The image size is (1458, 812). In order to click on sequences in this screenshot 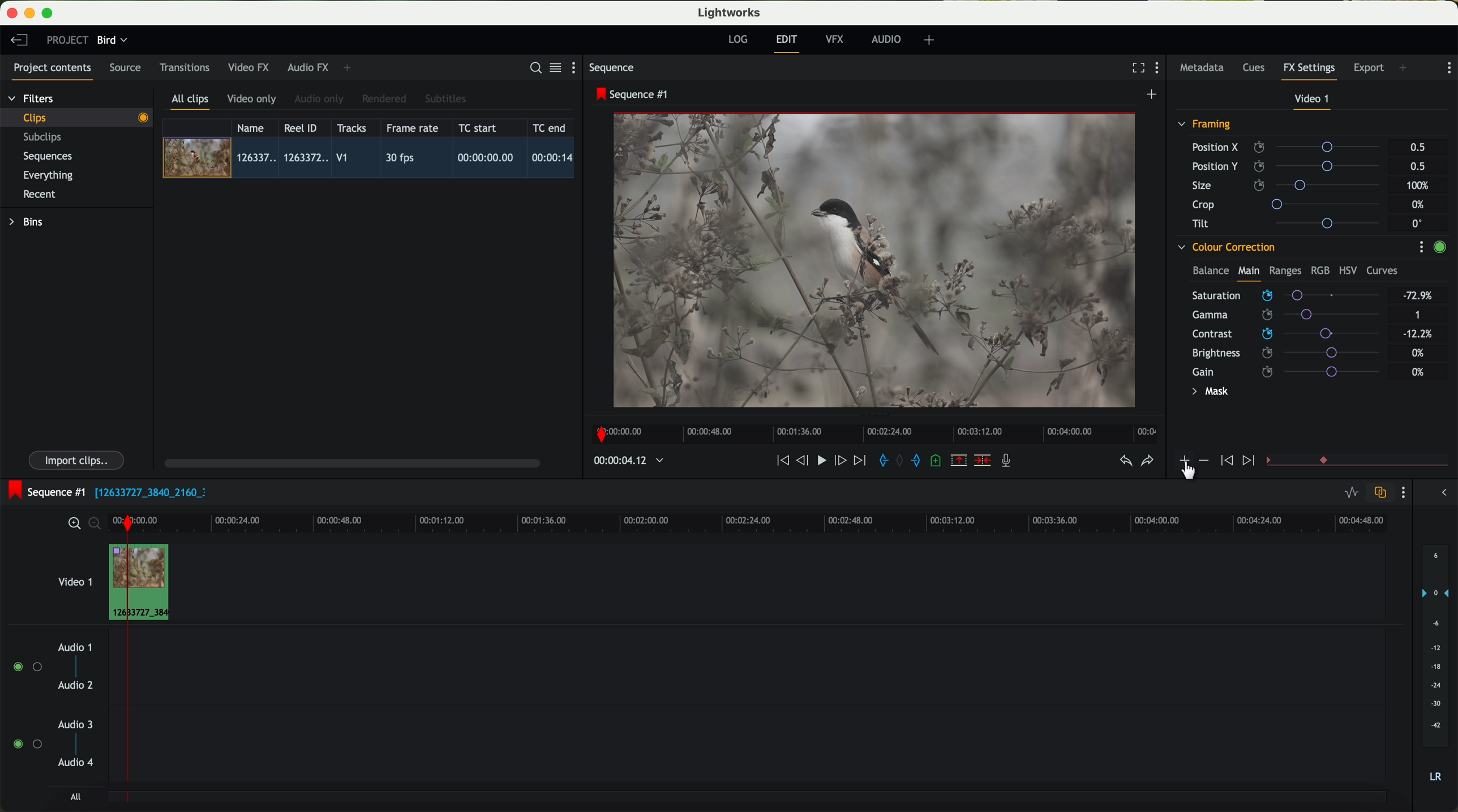, I will do `click(48, 157)`.